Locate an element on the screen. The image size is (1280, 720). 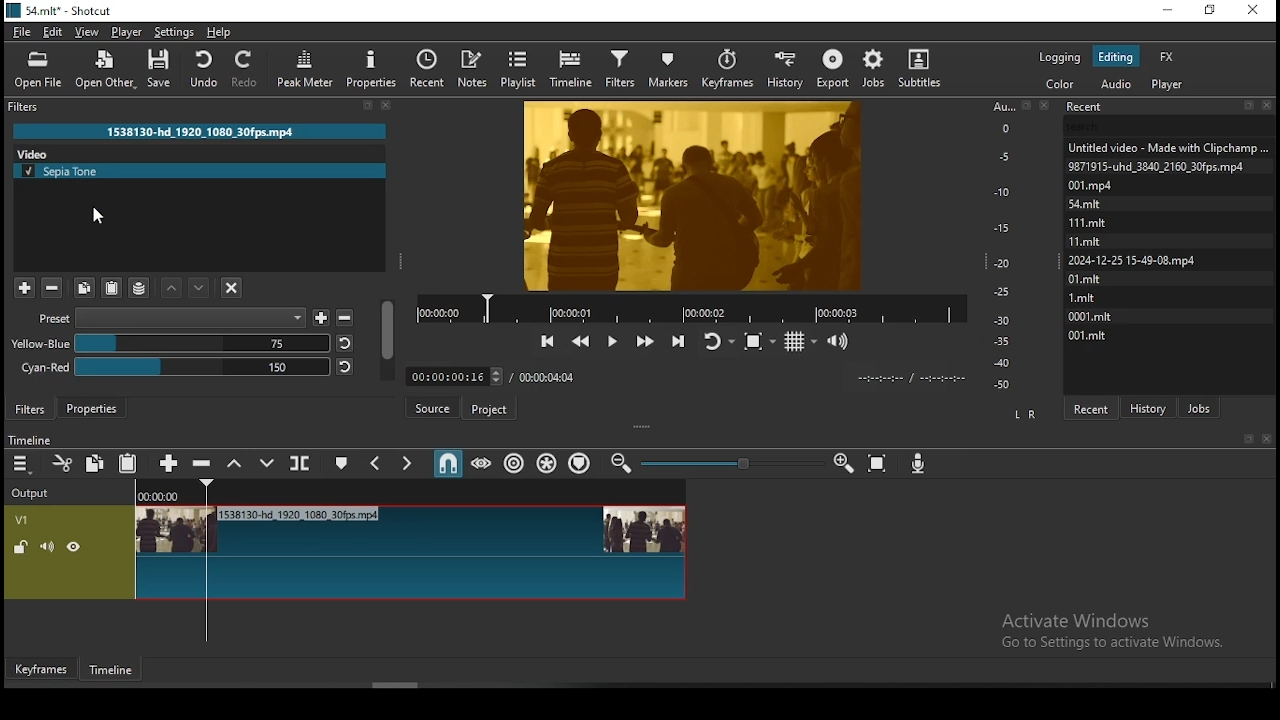
toggle grid display on the player is located at coordinates (800, 341).